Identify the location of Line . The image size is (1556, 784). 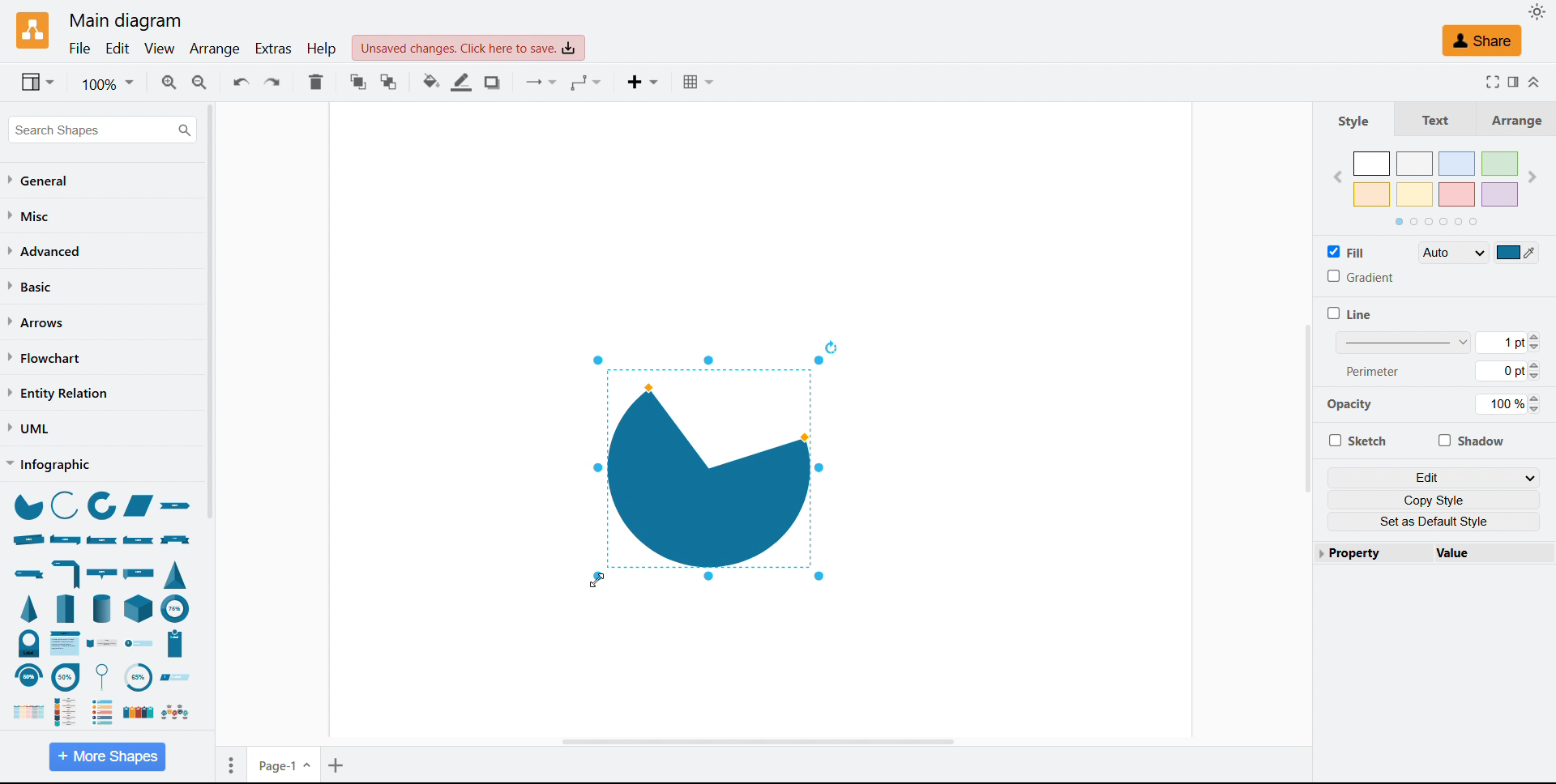
(1349, 313).